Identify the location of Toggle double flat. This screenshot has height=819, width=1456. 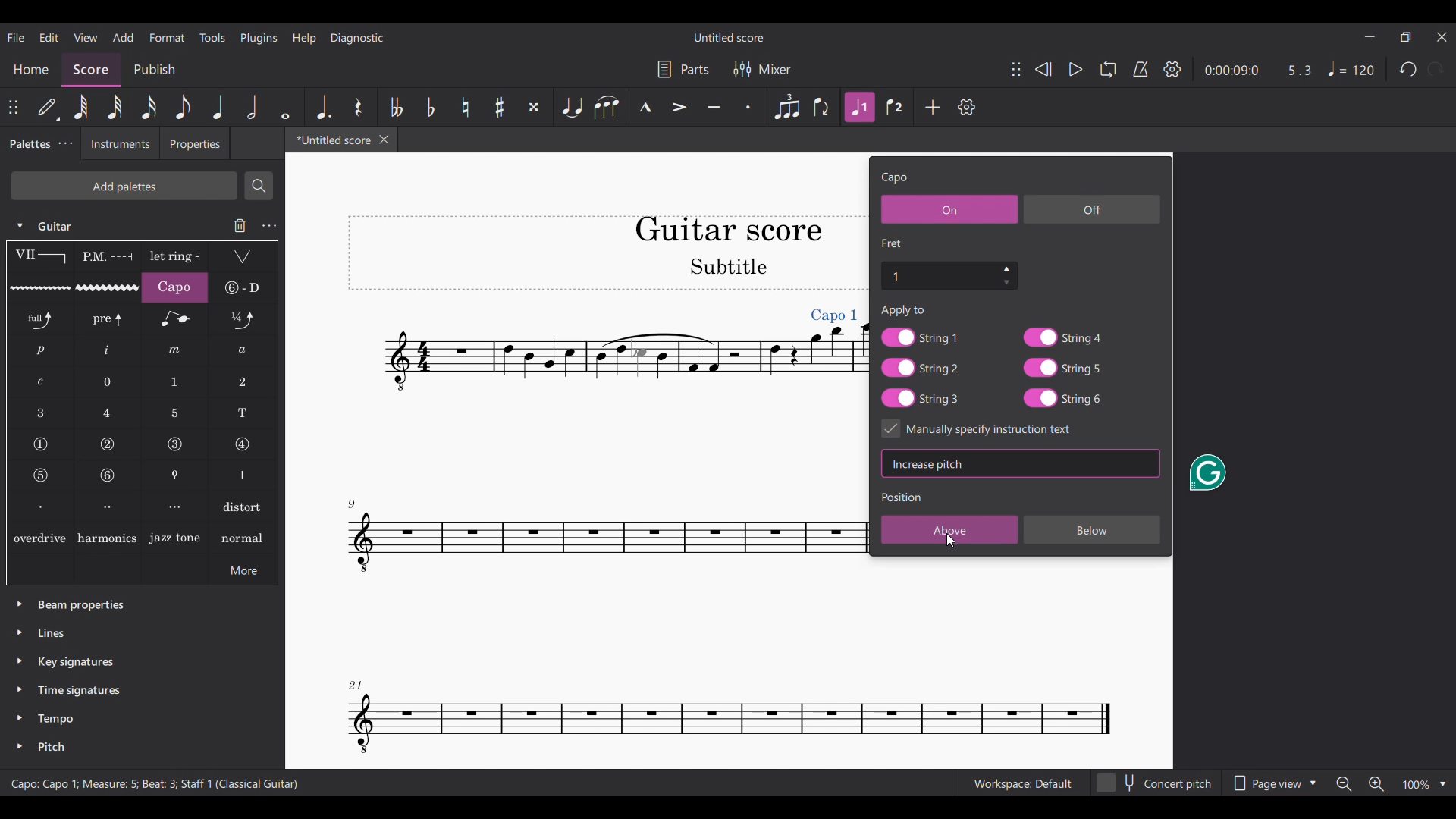
(396, 107).